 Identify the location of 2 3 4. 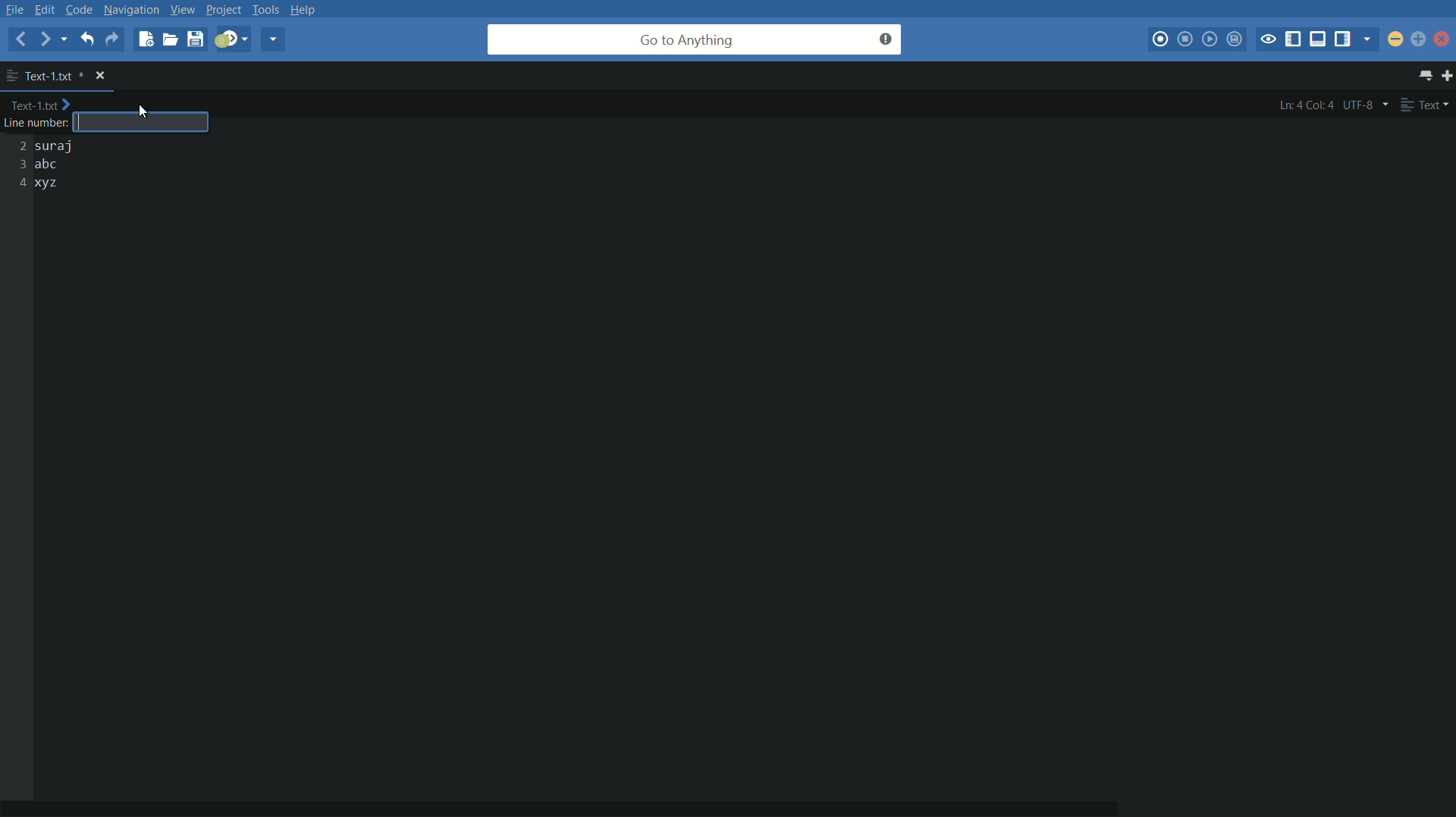
(19, 166).